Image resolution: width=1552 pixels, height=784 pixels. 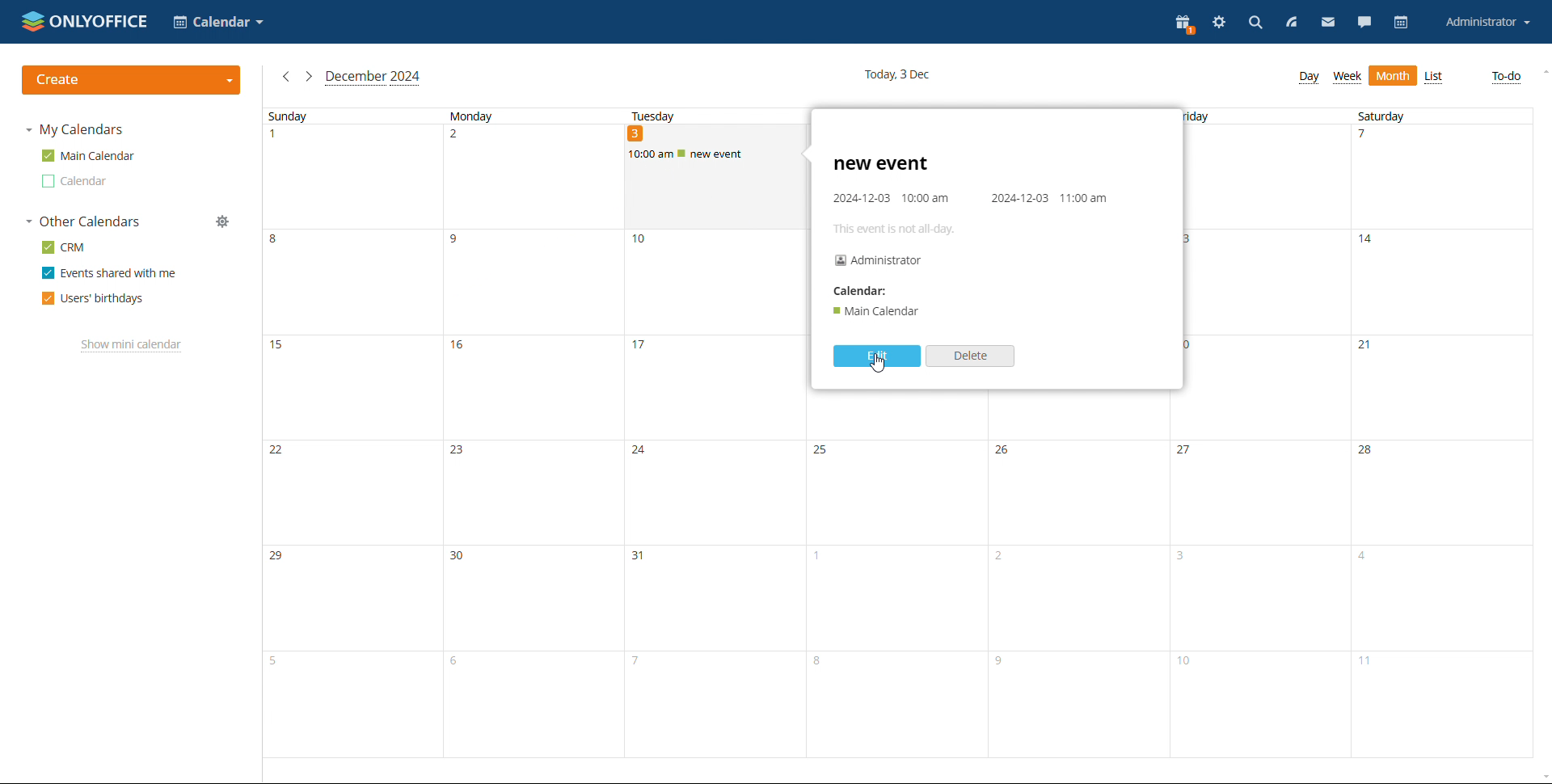 What do you see at coordinates (1078, 493) in the screenshot?
I see `26` at bounding box center [1078, 493].